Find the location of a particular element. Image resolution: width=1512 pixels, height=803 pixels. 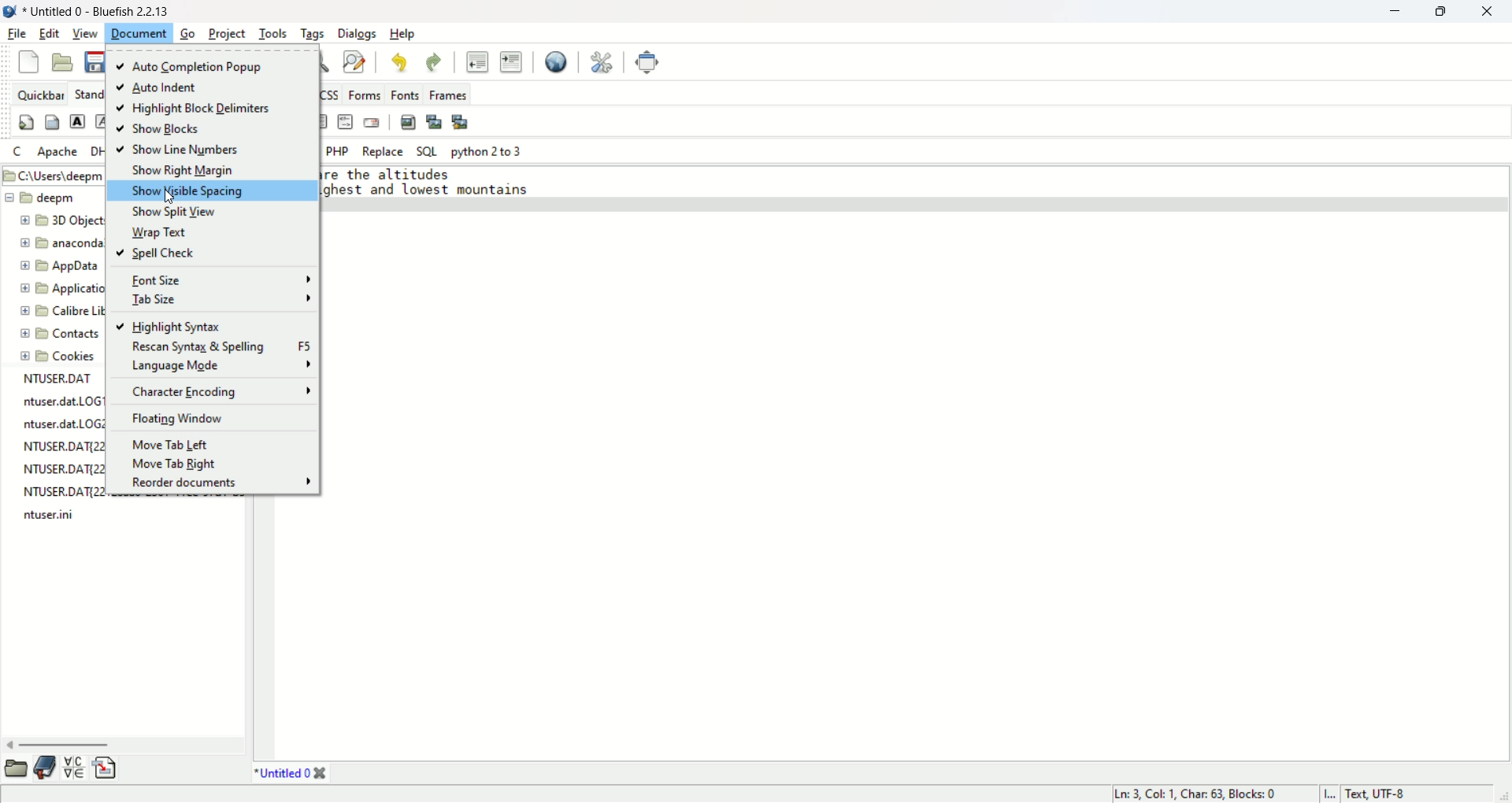

new is located at coordinates (29, 61).